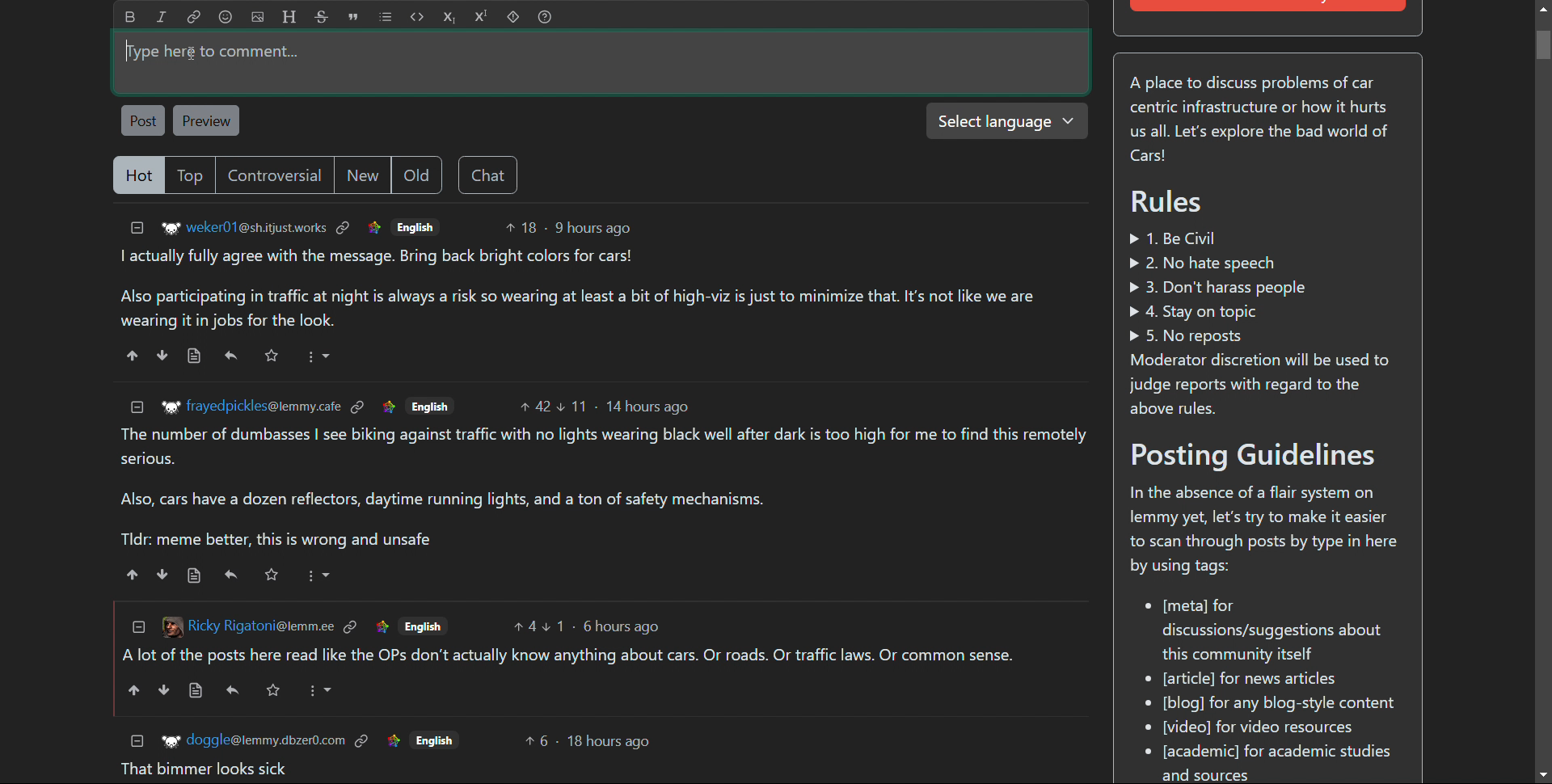  What do you see at coordinates (258, 17) in the screenshot?
I see `add image` at bounding box center [258, 17].